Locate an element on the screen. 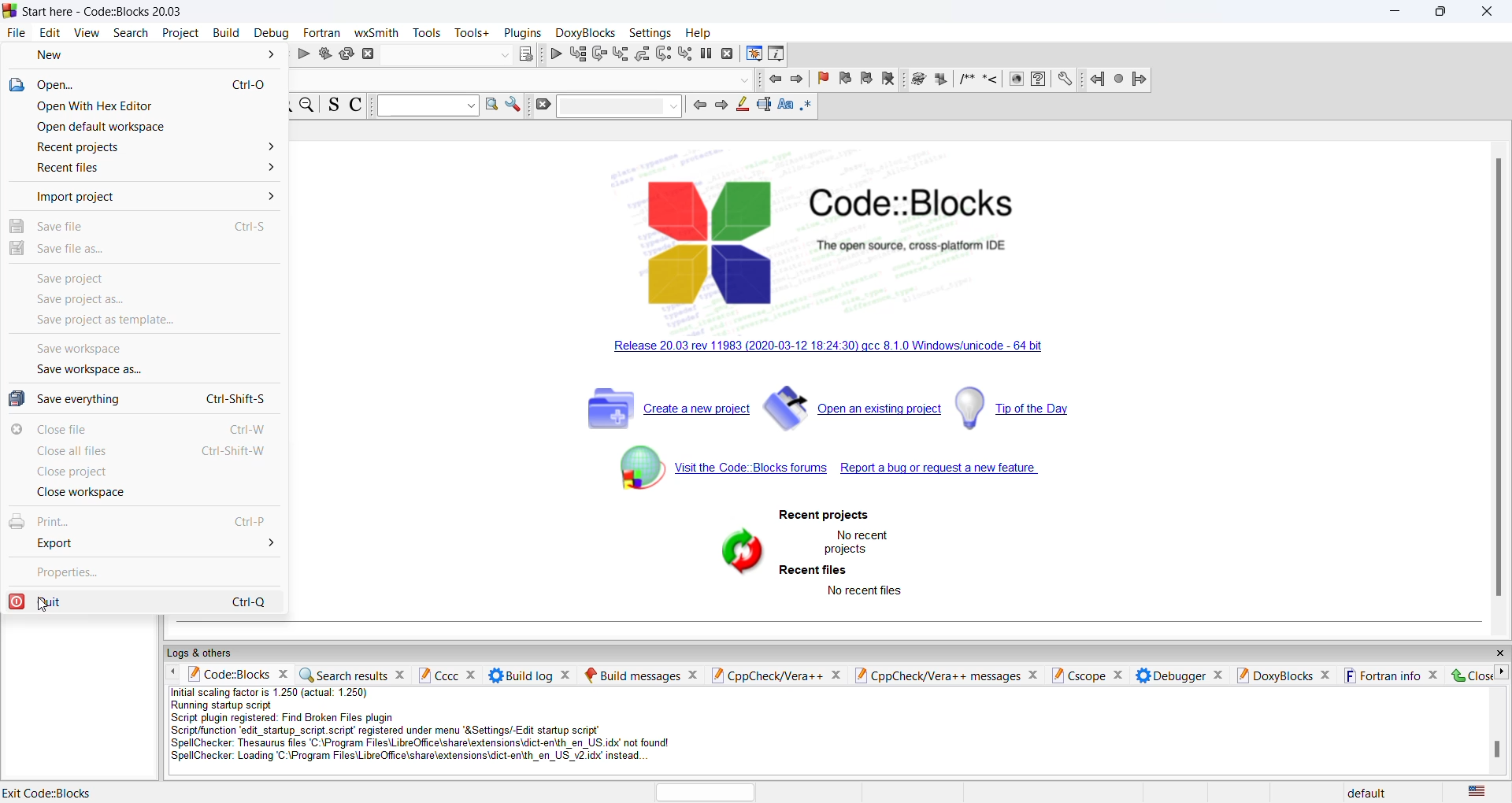 The width and height of the screenshot is (1512, 803). The open source, cross-platform IDE is located at coordinates (910, 246).